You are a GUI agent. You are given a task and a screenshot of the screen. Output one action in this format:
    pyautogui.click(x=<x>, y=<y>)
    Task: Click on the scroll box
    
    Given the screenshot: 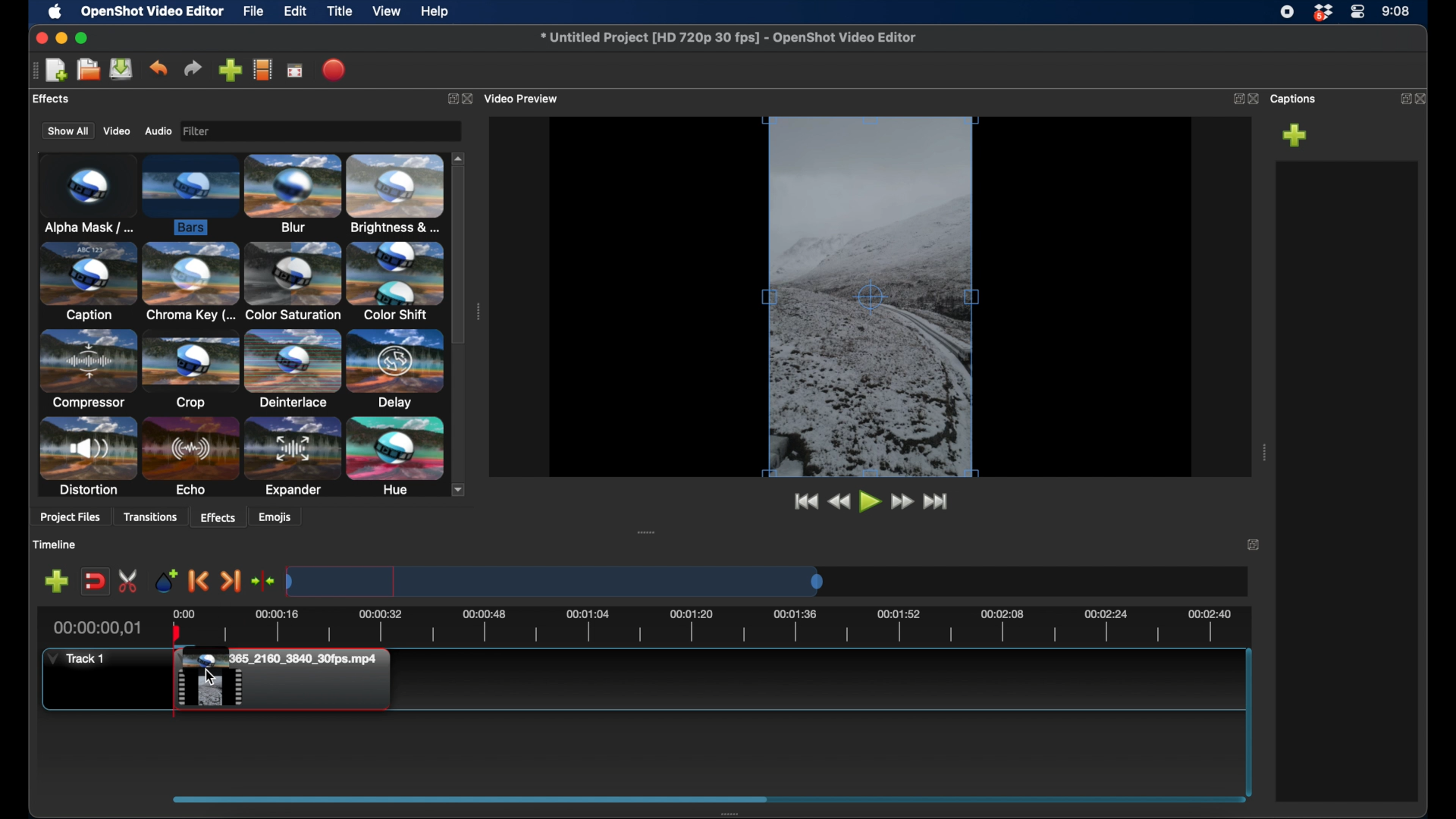 What is the action you would take?
    pyautogui.click(x=469, y=799)
    